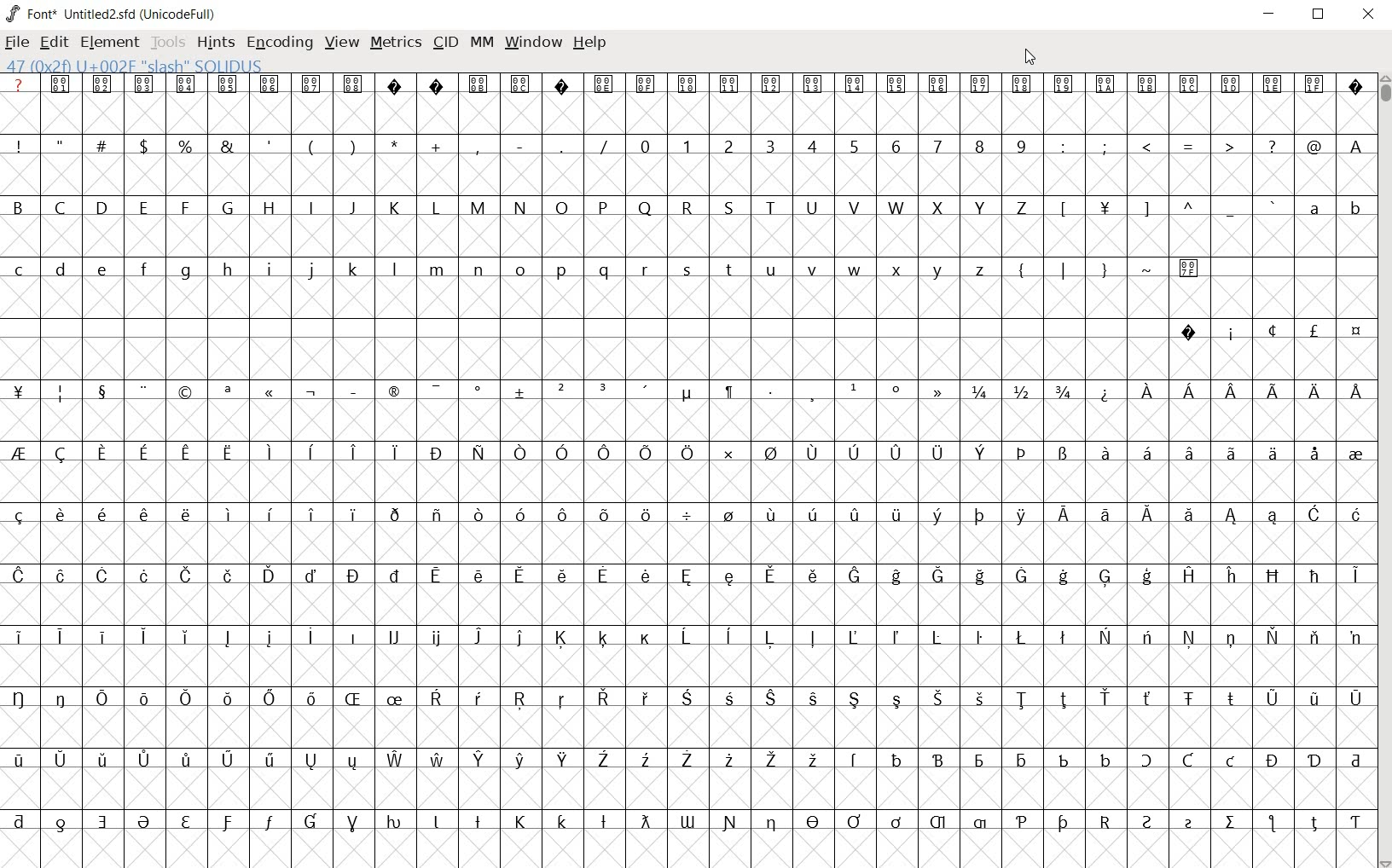 The height and width of the screenshot is (868, 1392). I want to click on FILE, so click(19, 43).